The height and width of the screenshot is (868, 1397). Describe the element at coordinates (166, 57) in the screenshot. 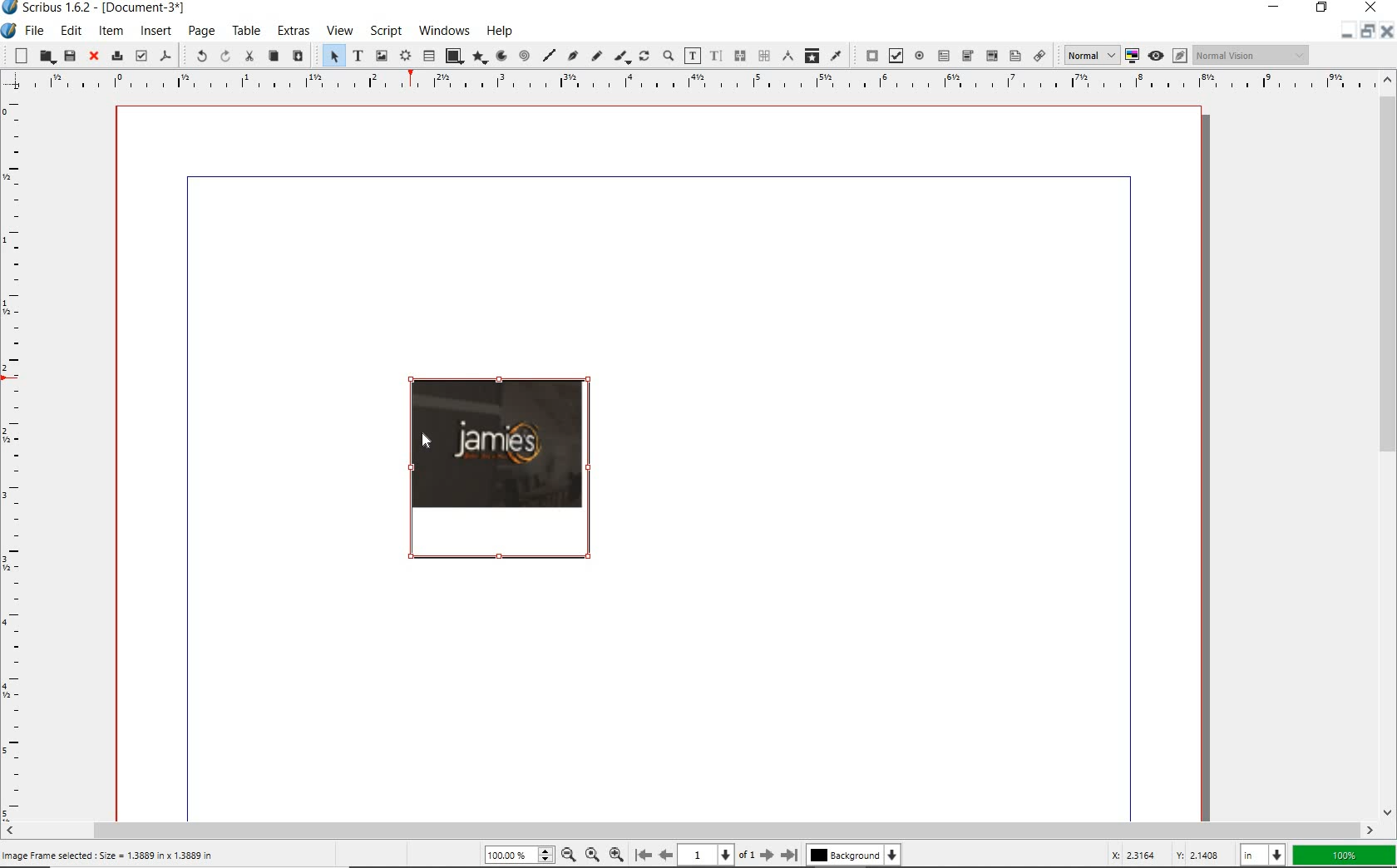

I see `save as pdf` at that location.